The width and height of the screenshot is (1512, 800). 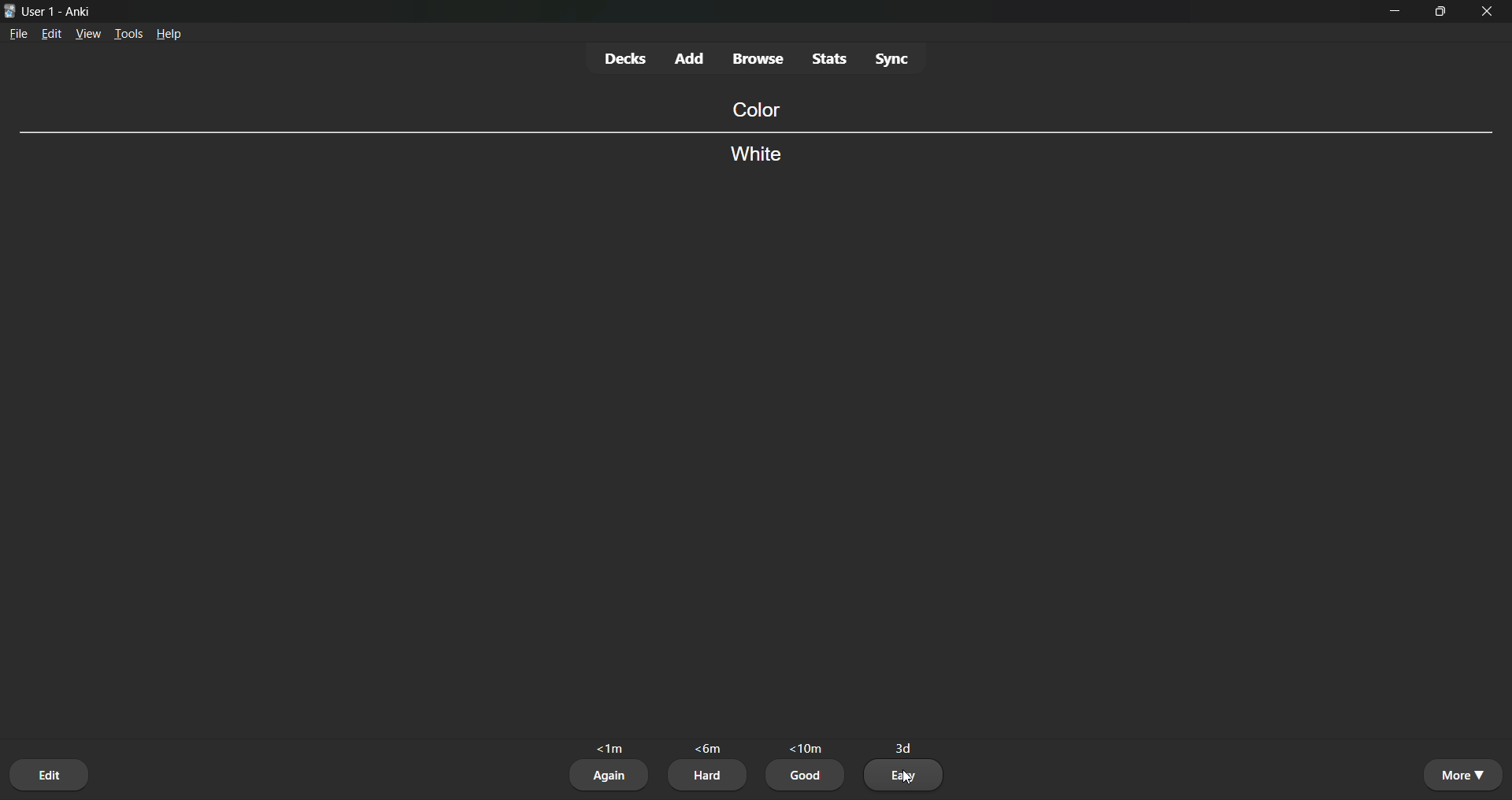 I want to click on good, so click(x=807, y=778).